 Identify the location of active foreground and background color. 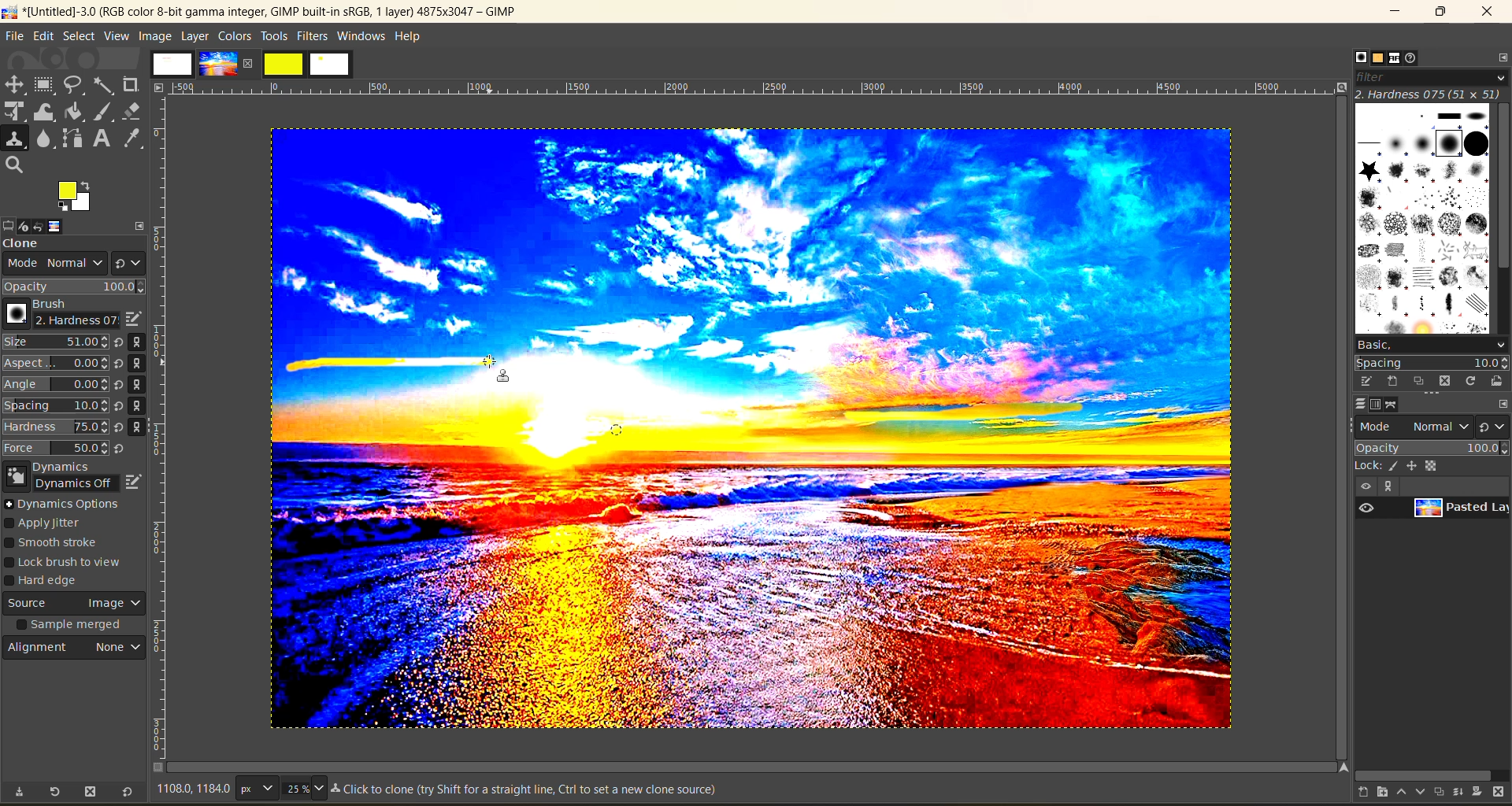
(76, 198).